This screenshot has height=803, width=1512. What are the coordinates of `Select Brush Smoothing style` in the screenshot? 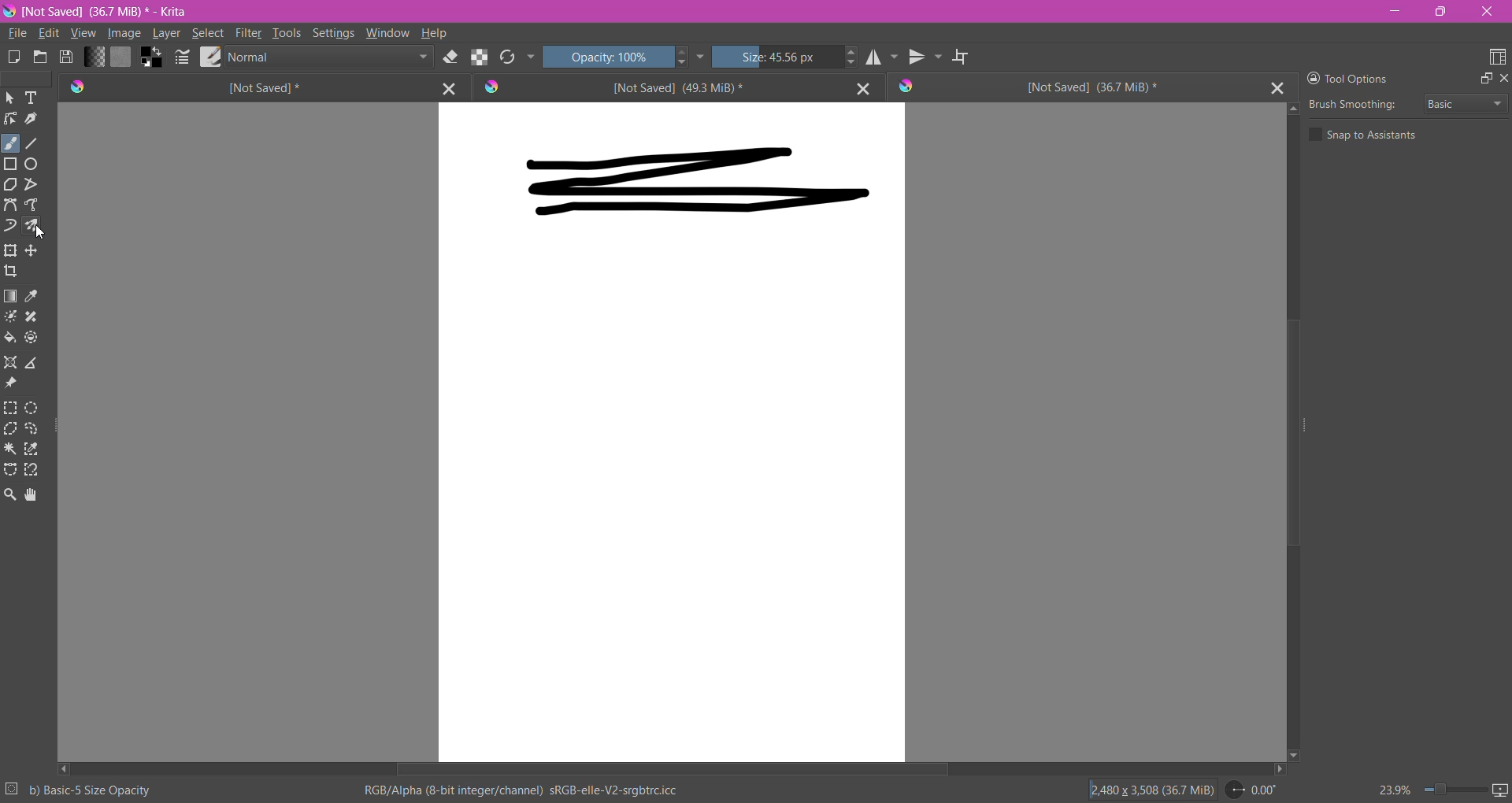 It's located at (1464, 105).